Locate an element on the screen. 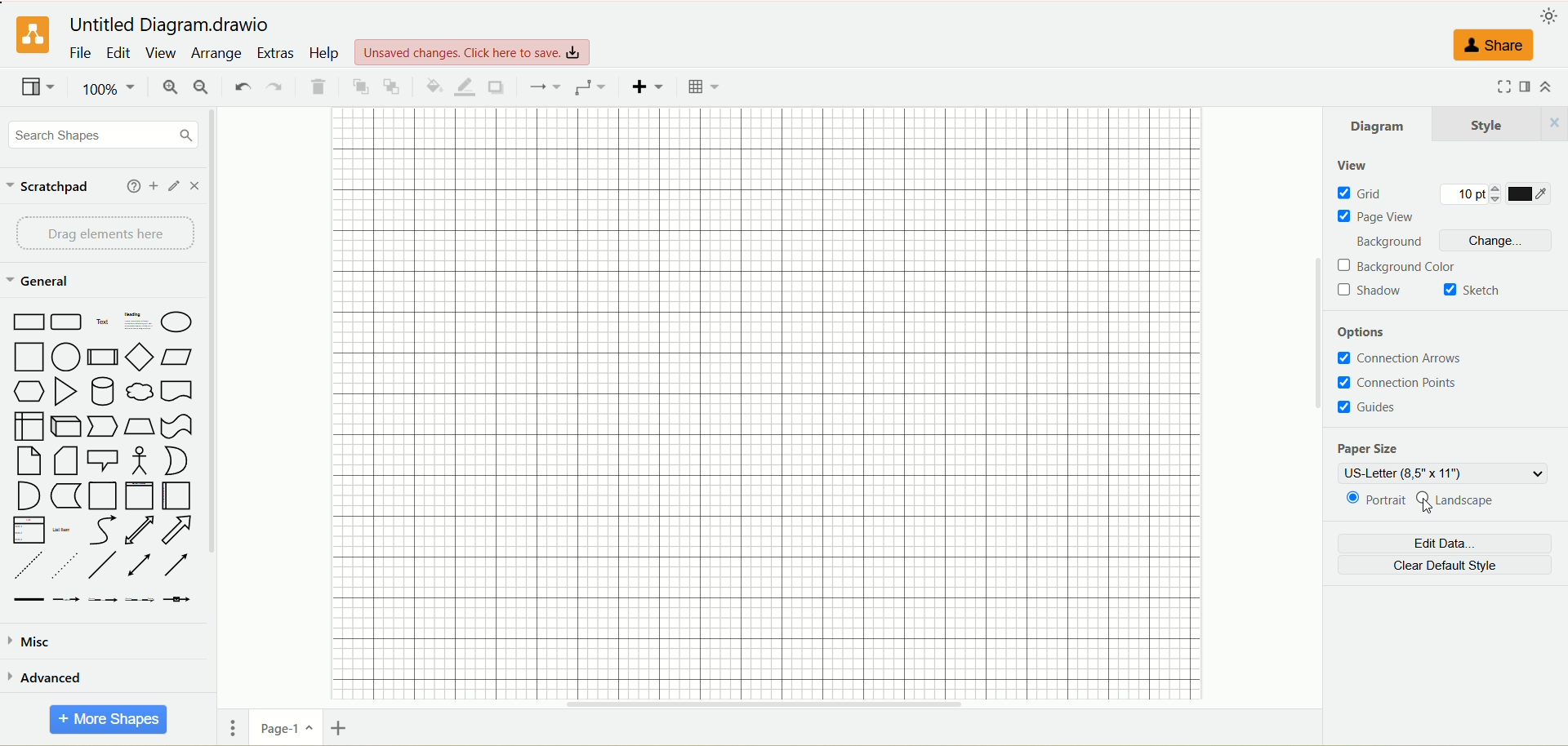 The image size is (1568, 746). change is located at coordinates (1497, 241).